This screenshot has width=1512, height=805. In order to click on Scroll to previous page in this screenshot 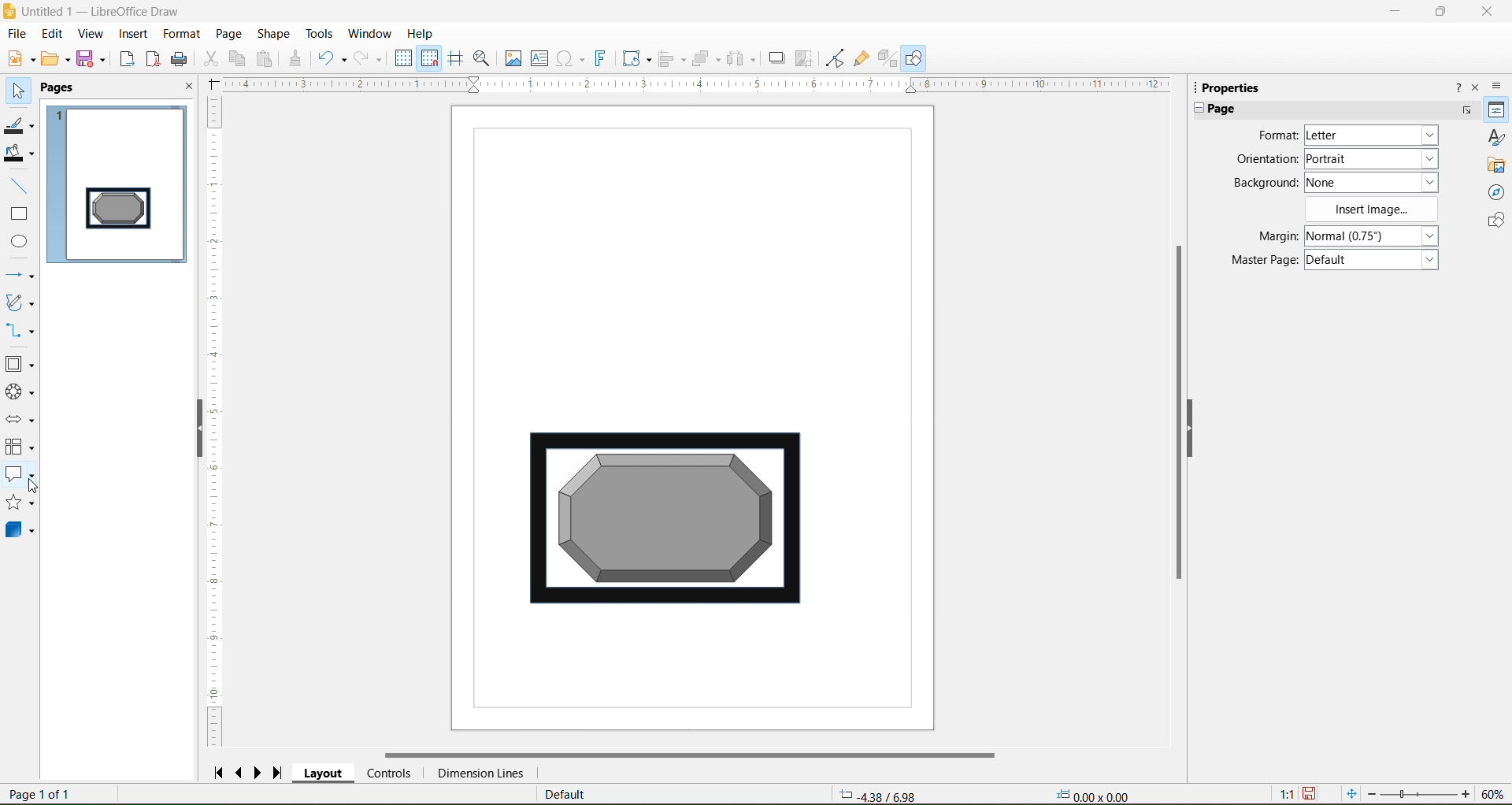, I will do `click(241, 772)`.